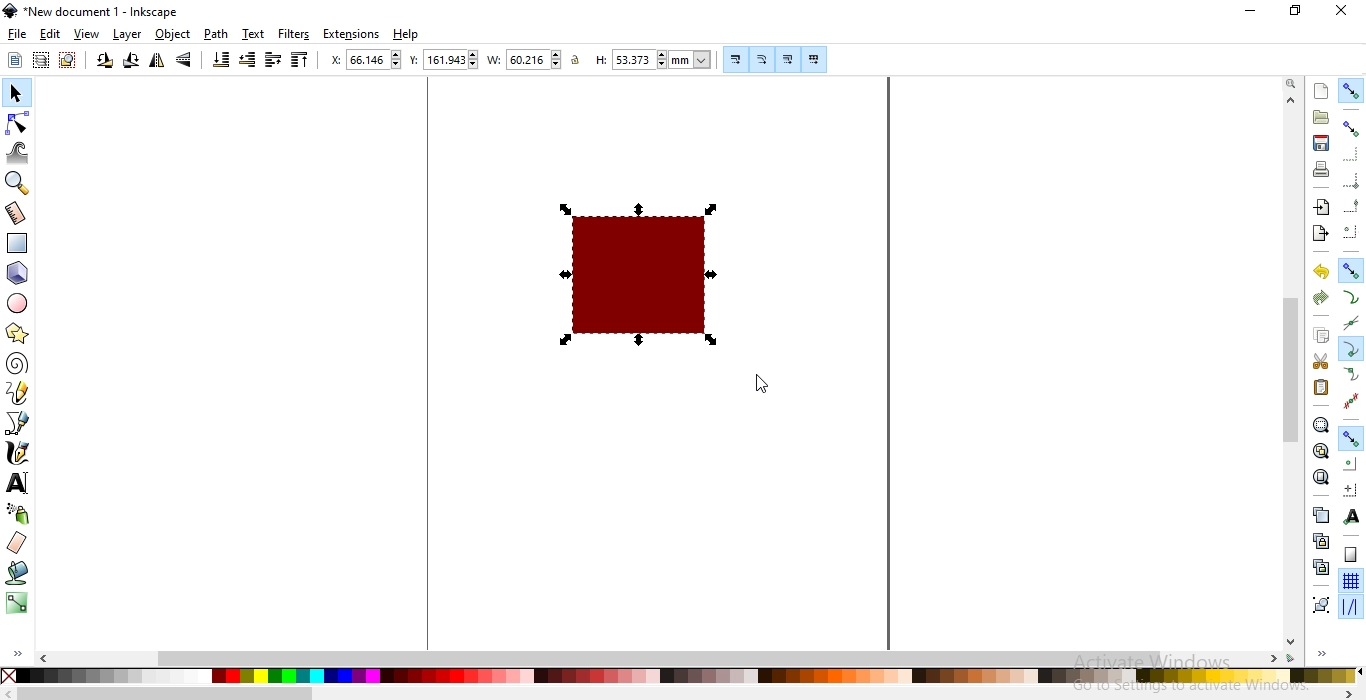 This screenshot has width=1366, height=700. What do you see at coordinates (787, 61) in the screenshot?
I see `move gradients alongwith objects` at bounding box center [787, 61].